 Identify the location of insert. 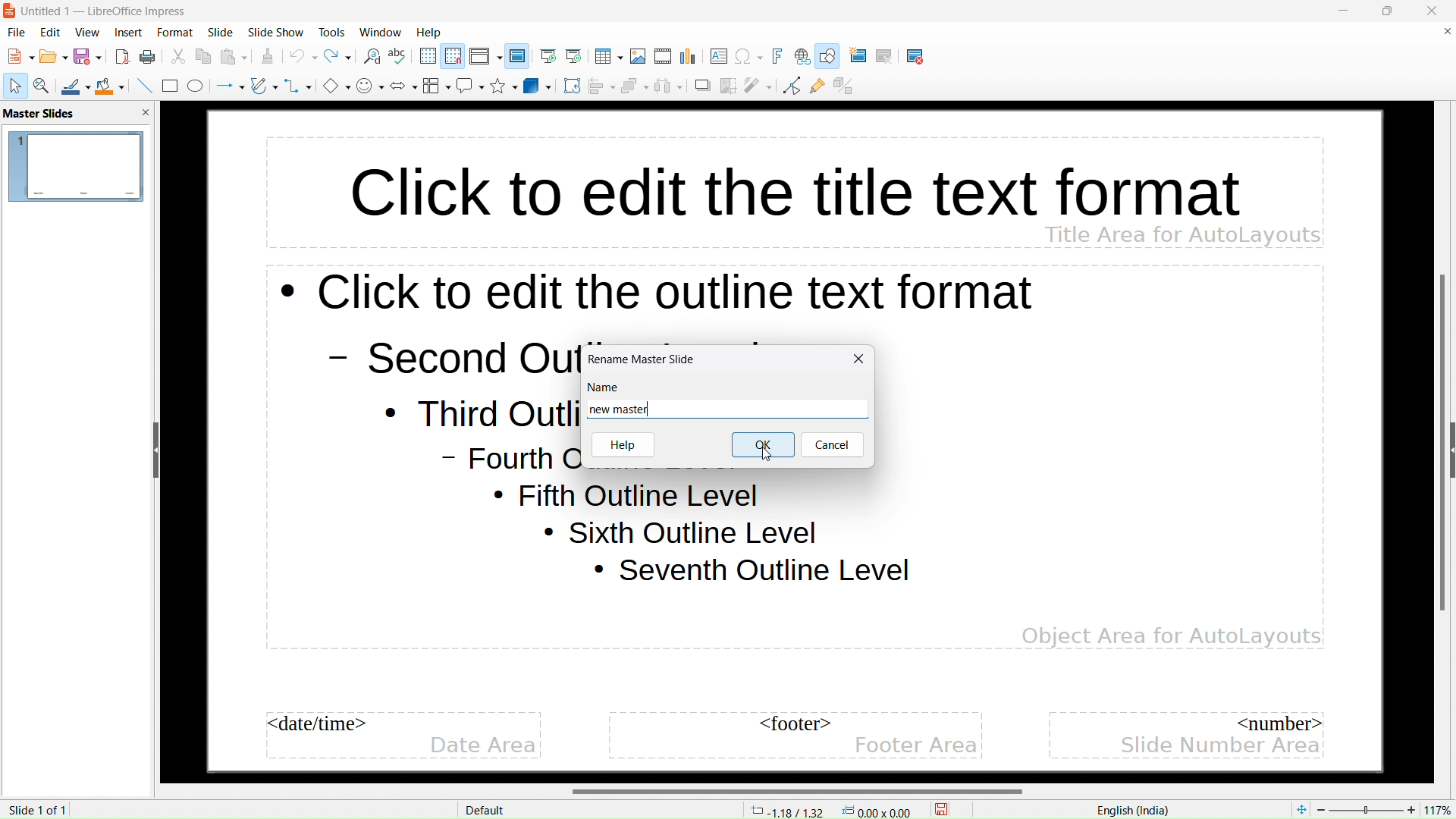
(129, 32).